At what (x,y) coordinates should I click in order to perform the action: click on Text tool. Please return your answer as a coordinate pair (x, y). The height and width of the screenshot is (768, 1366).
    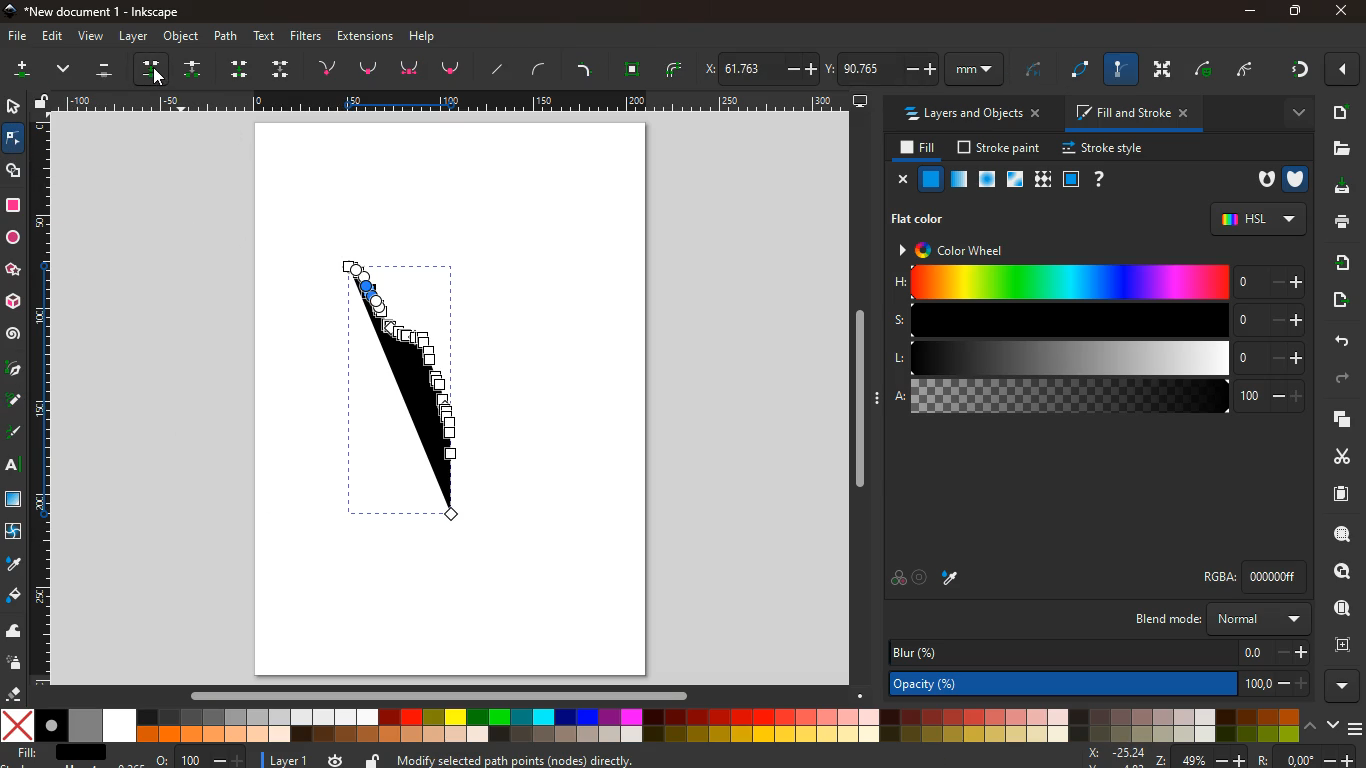
    Looking at the image, I should click on (18, 465).